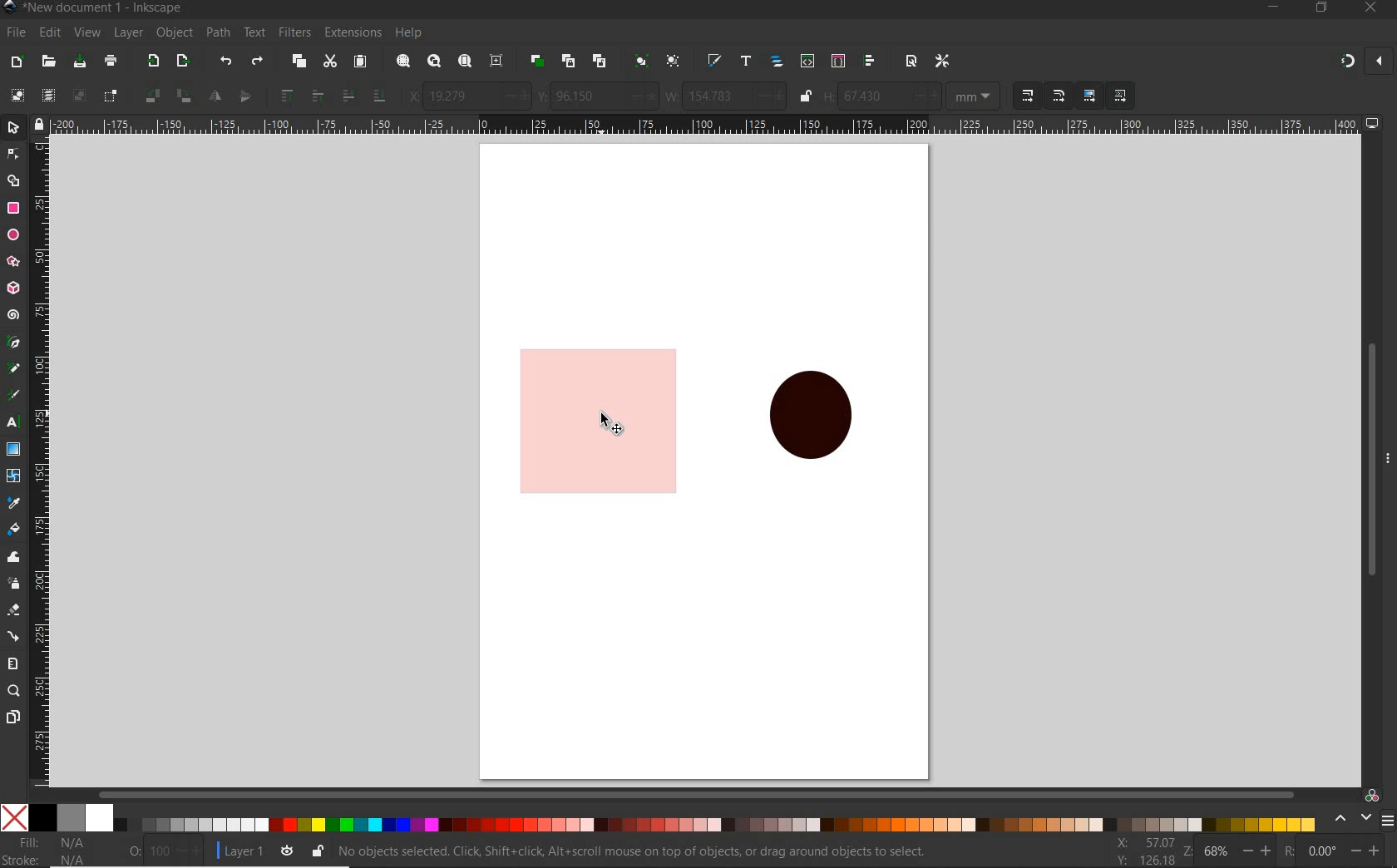 The image size is (1397, 868). I want to click on lock or unlock the object, so click(318, 851).